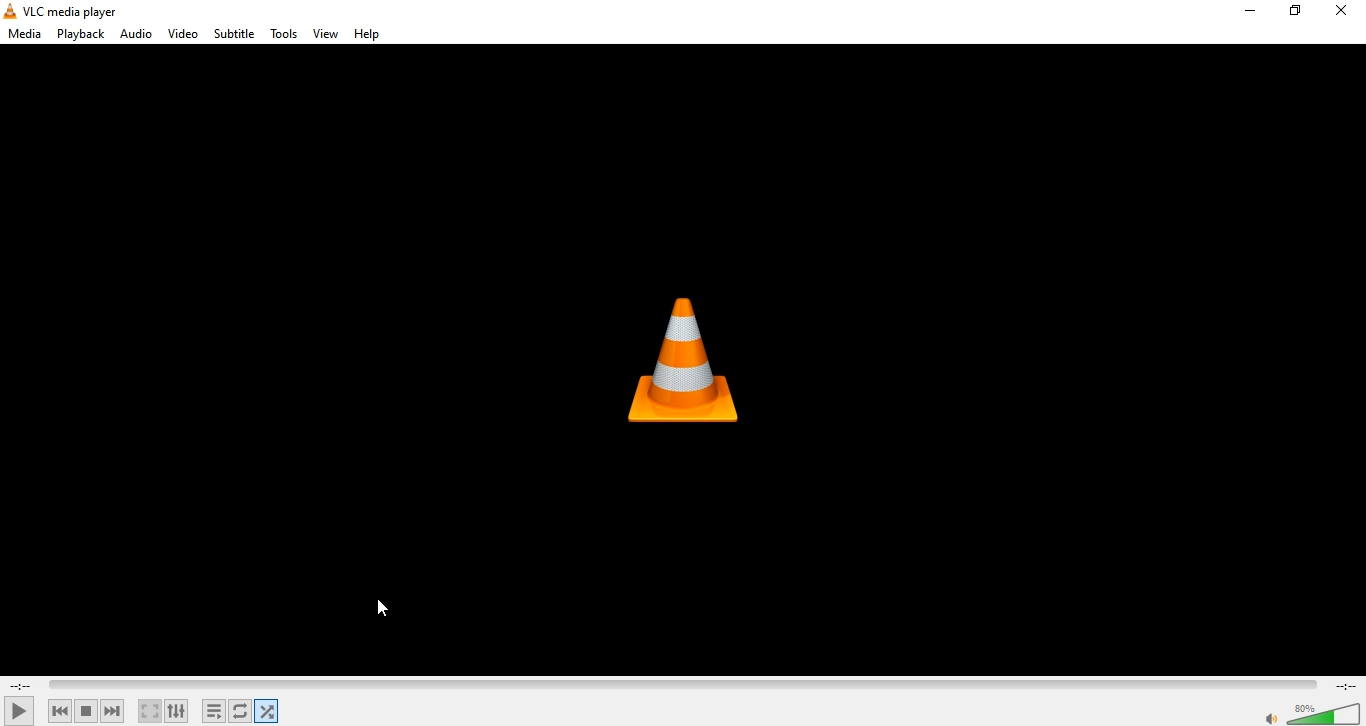 The image size is (1366, 726). What do you see at coordinates (182, 32) in the screenshot?
I see `video` at bounding box center [182, 32].